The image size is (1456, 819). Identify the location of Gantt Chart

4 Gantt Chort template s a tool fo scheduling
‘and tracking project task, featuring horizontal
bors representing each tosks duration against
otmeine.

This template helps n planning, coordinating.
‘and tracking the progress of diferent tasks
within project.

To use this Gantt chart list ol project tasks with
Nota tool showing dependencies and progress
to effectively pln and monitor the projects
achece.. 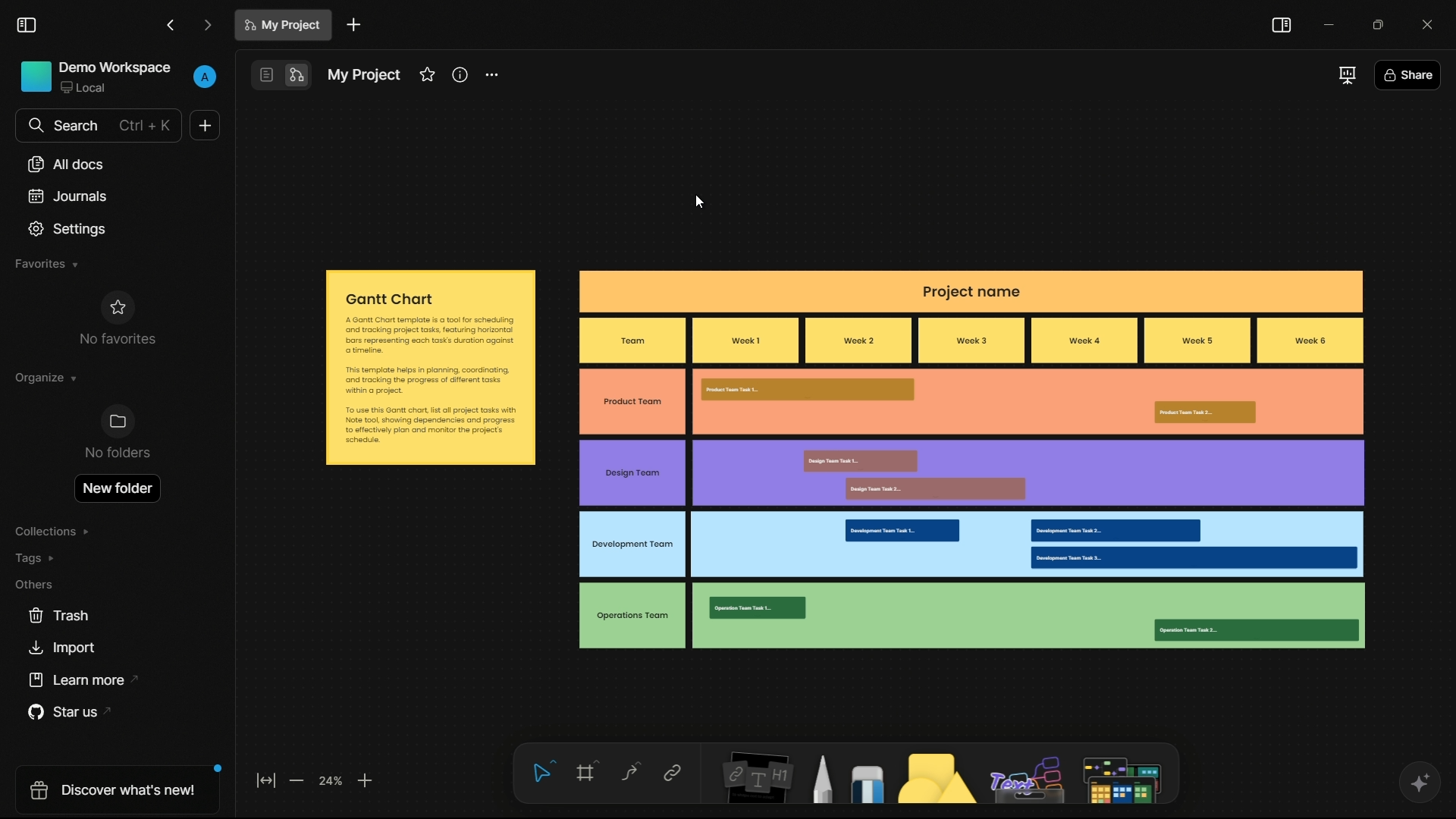
(431, 367).